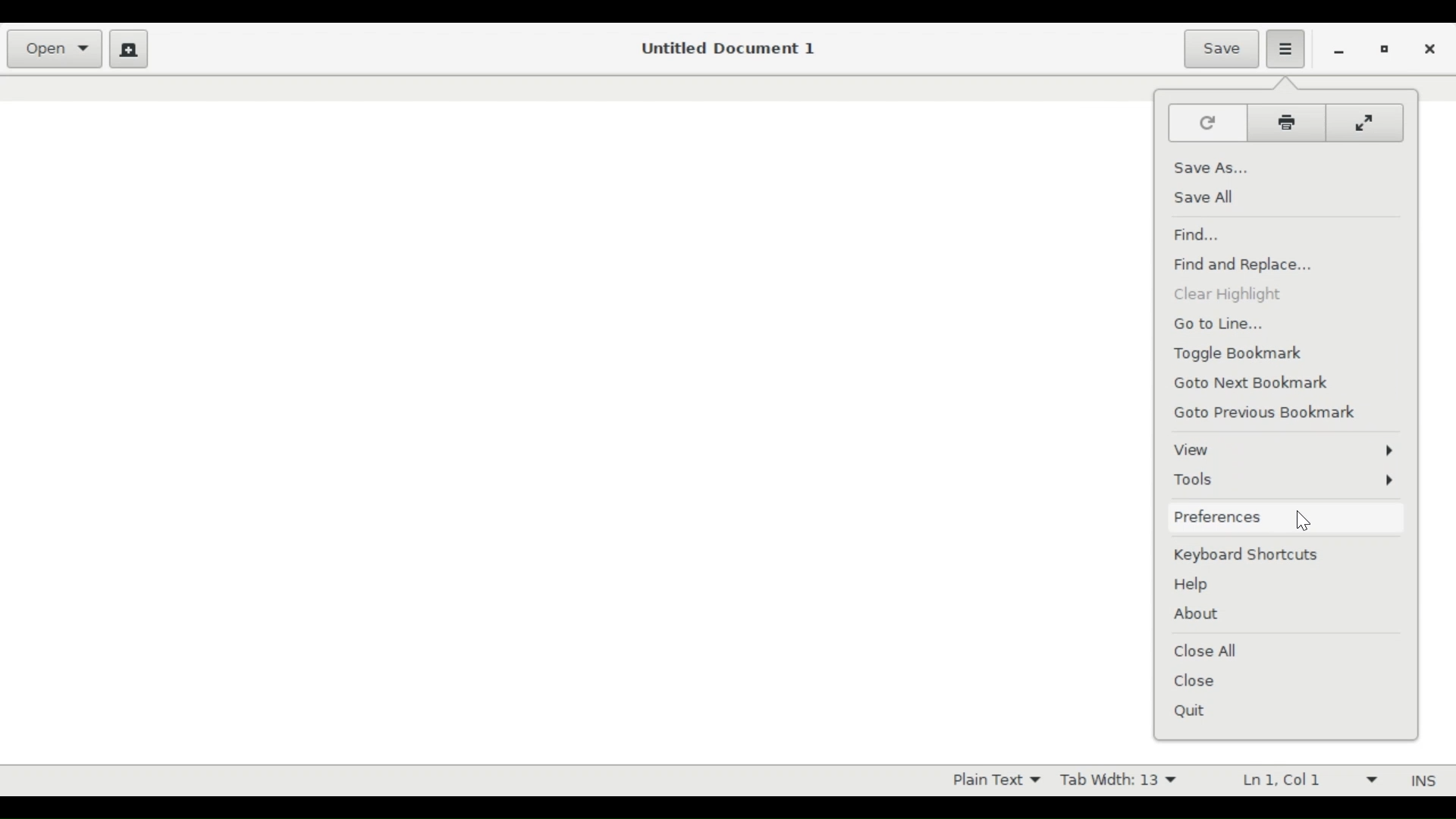 Image resolution: width=1456 pixels, height=819 pixels. Describe the element at coordinates (1125, 779) in the screenshot. I see `Tab Width 13` at that location.